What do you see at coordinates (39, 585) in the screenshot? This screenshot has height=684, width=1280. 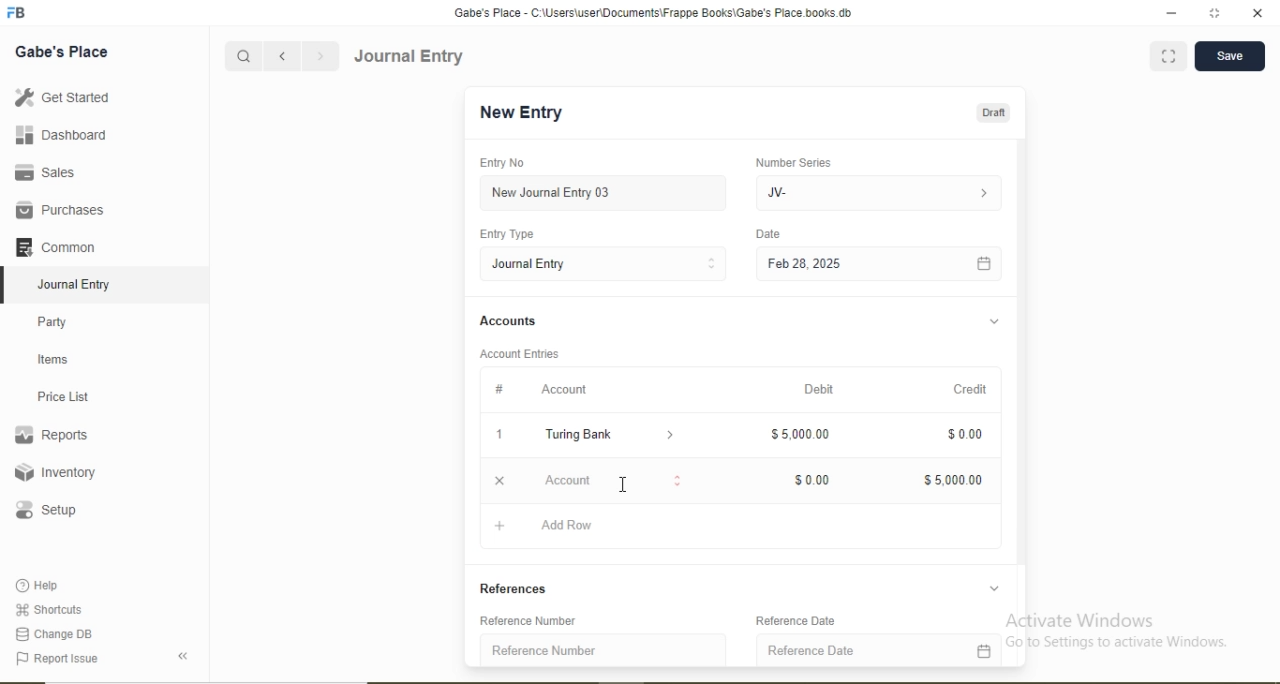 I see `Help` at bounding box center [39, 585].